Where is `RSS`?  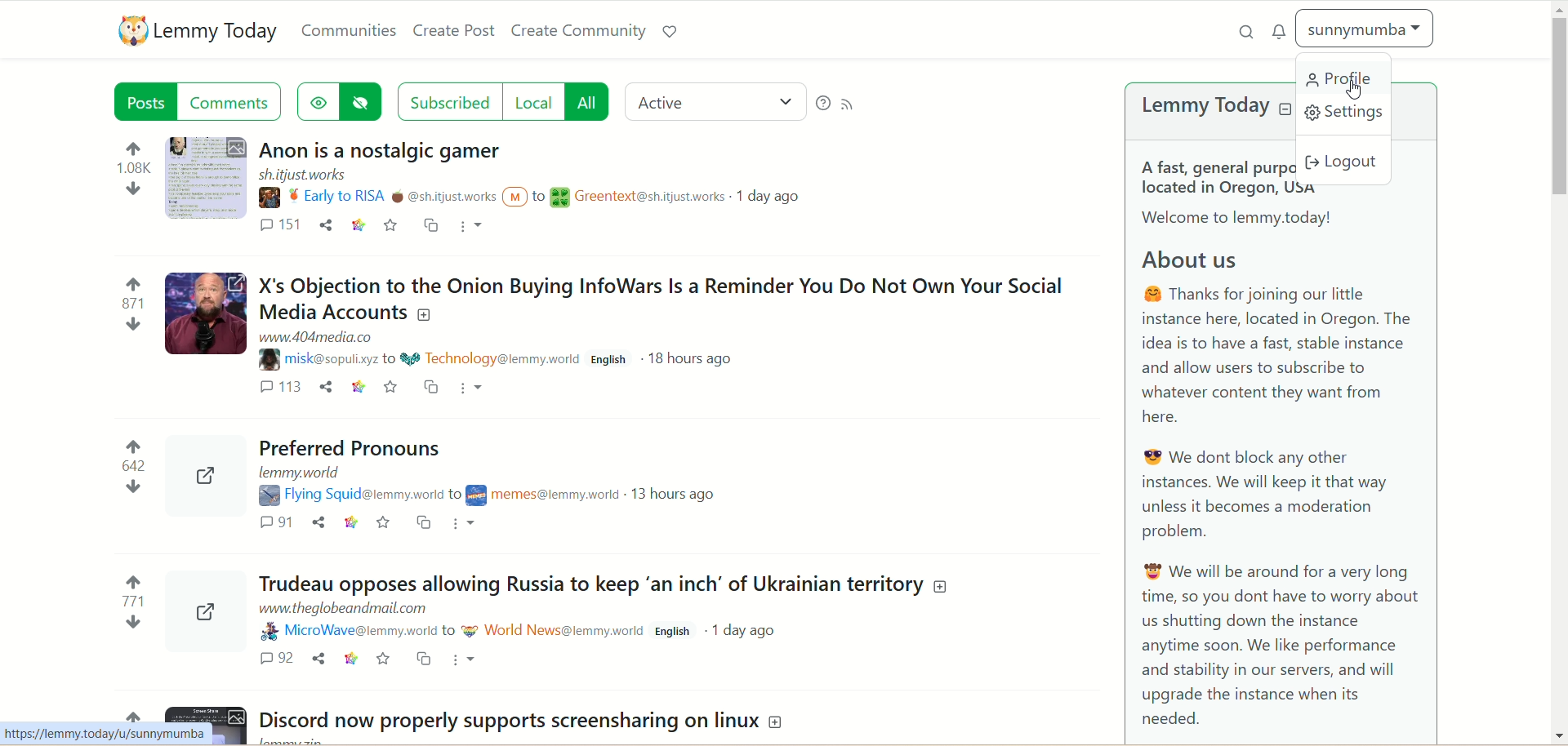
RSS is located at coordinates (850, 103).